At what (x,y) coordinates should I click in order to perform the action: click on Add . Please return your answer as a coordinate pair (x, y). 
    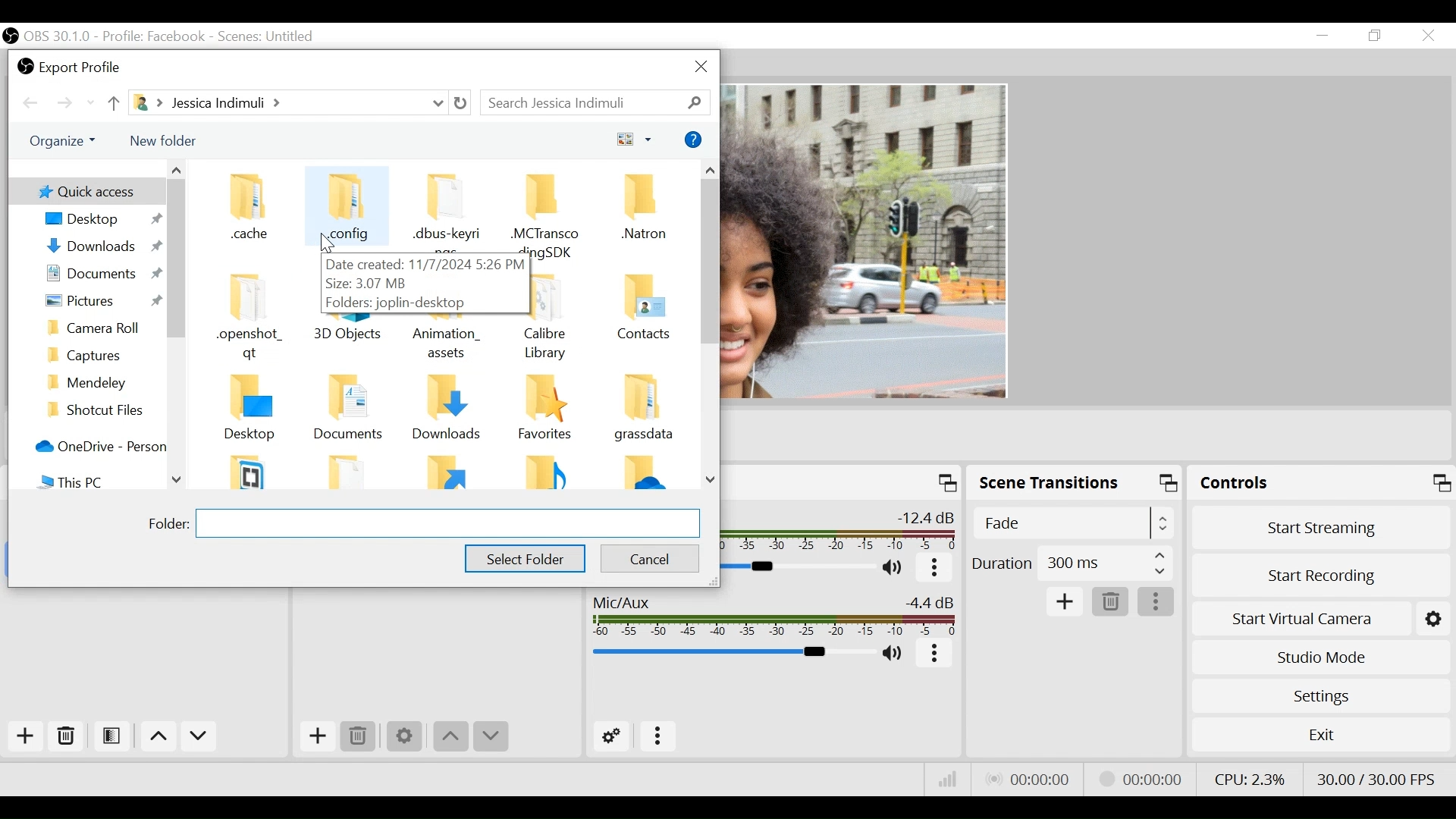
    Looking at the image, I should click on (1065, 603).